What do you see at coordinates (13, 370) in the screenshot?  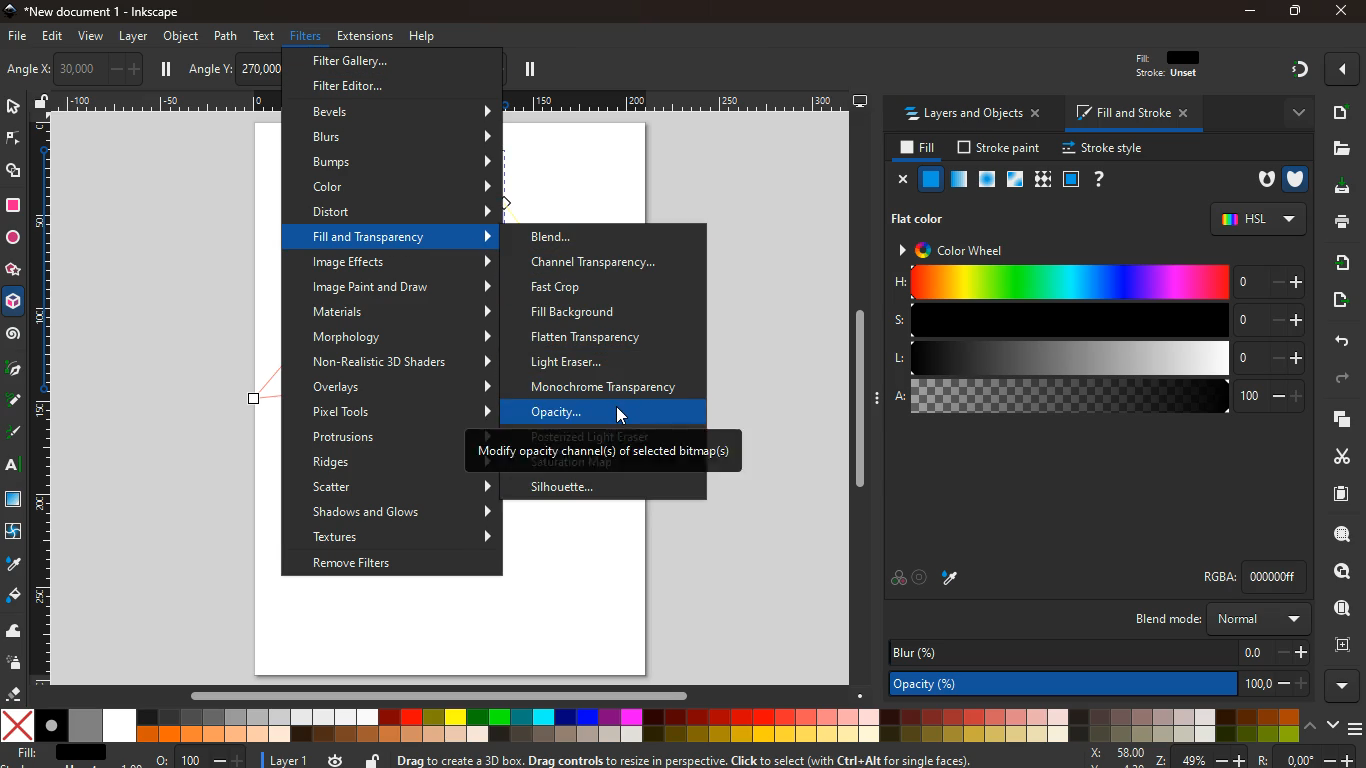 I see `pic` at bounding box center [13, 370].